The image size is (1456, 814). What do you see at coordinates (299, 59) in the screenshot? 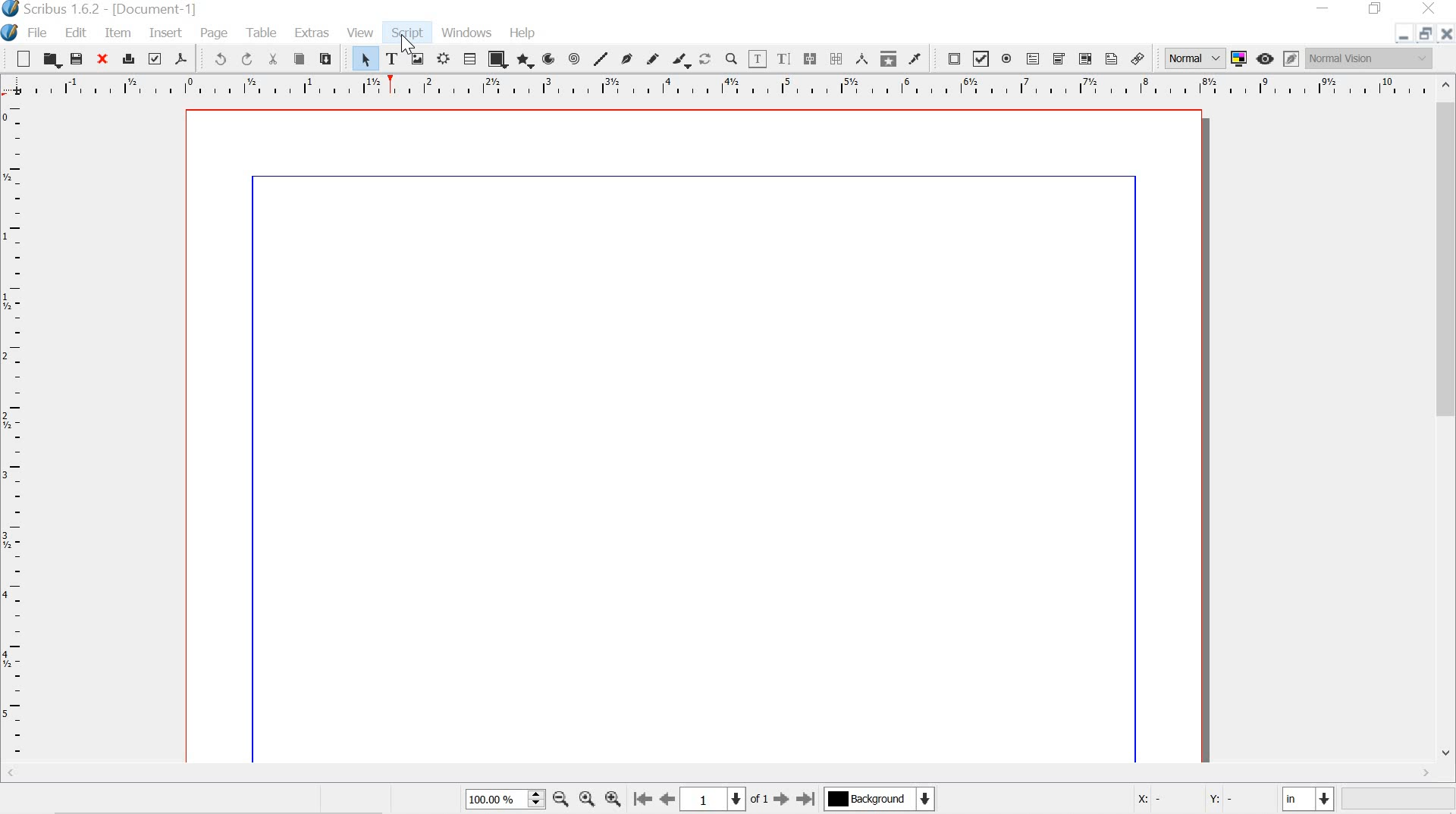
I see `copy` at bounding box center [299, 59].